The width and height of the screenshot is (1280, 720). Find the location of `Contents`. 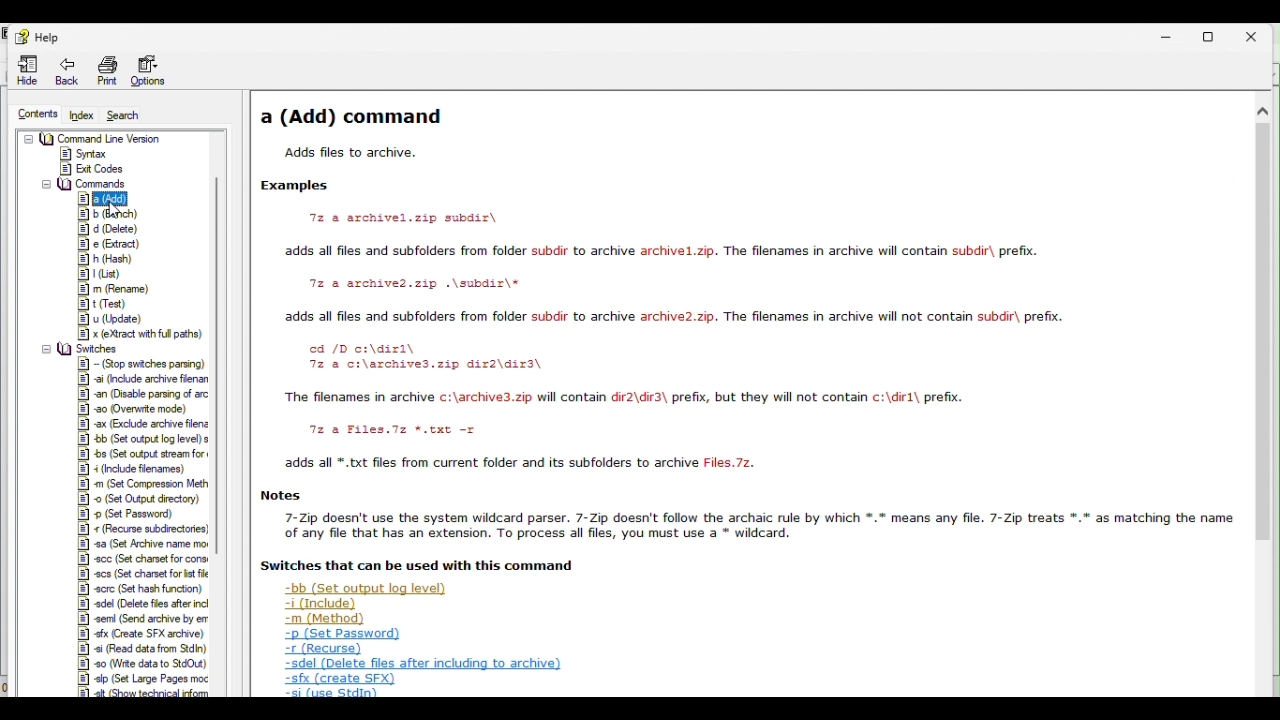

Contents is located at coordinates (40, 114).